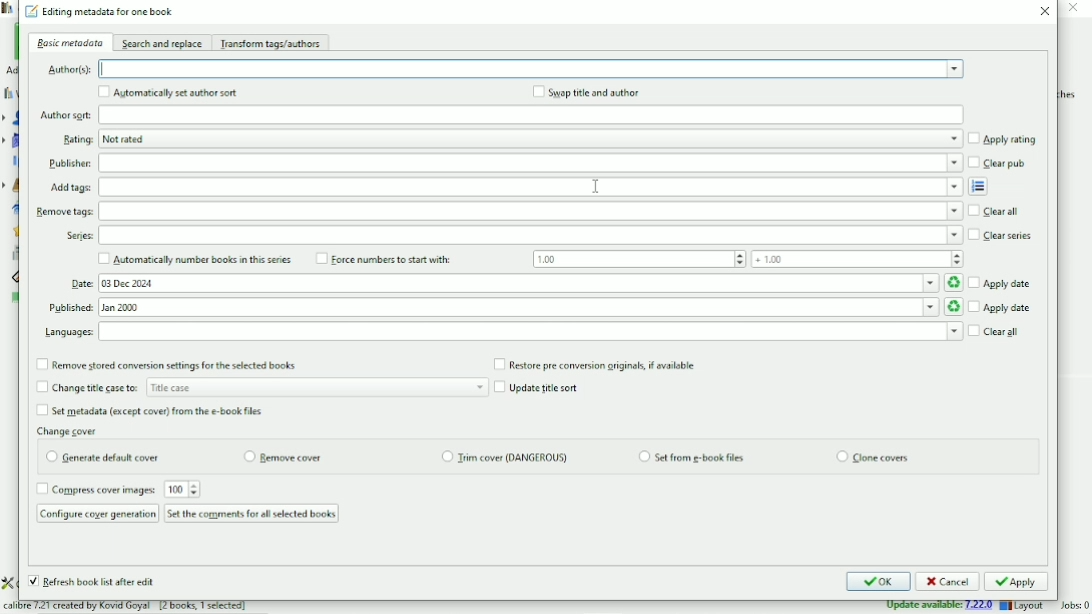 This screenshot has width=1092, height=614. What do you see at coordinates (531, 307) in the screenshot?
I see `select Published date ` at bounding box center [531, 307].